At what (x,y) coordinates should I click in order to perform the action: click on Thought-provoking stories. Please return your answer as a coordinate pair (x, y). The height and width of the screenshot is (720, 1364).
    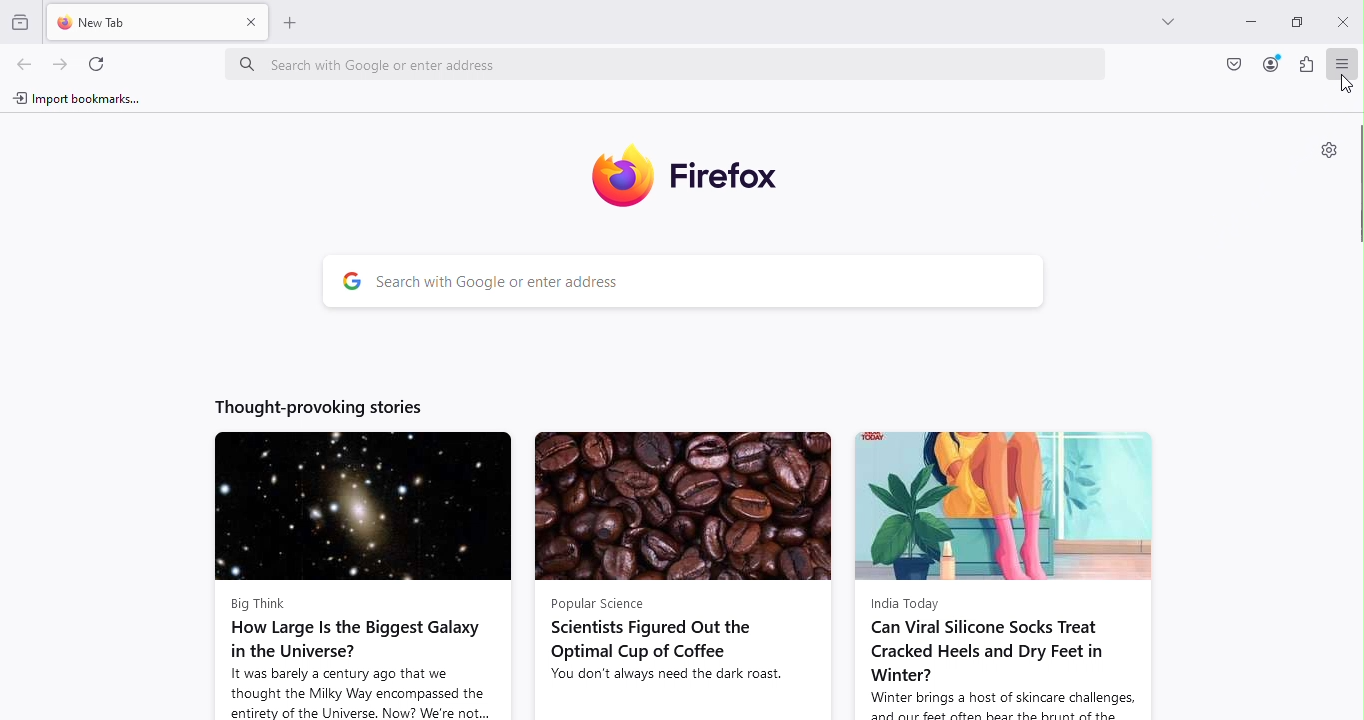
    Looking at the image, I should click on (323, 406).